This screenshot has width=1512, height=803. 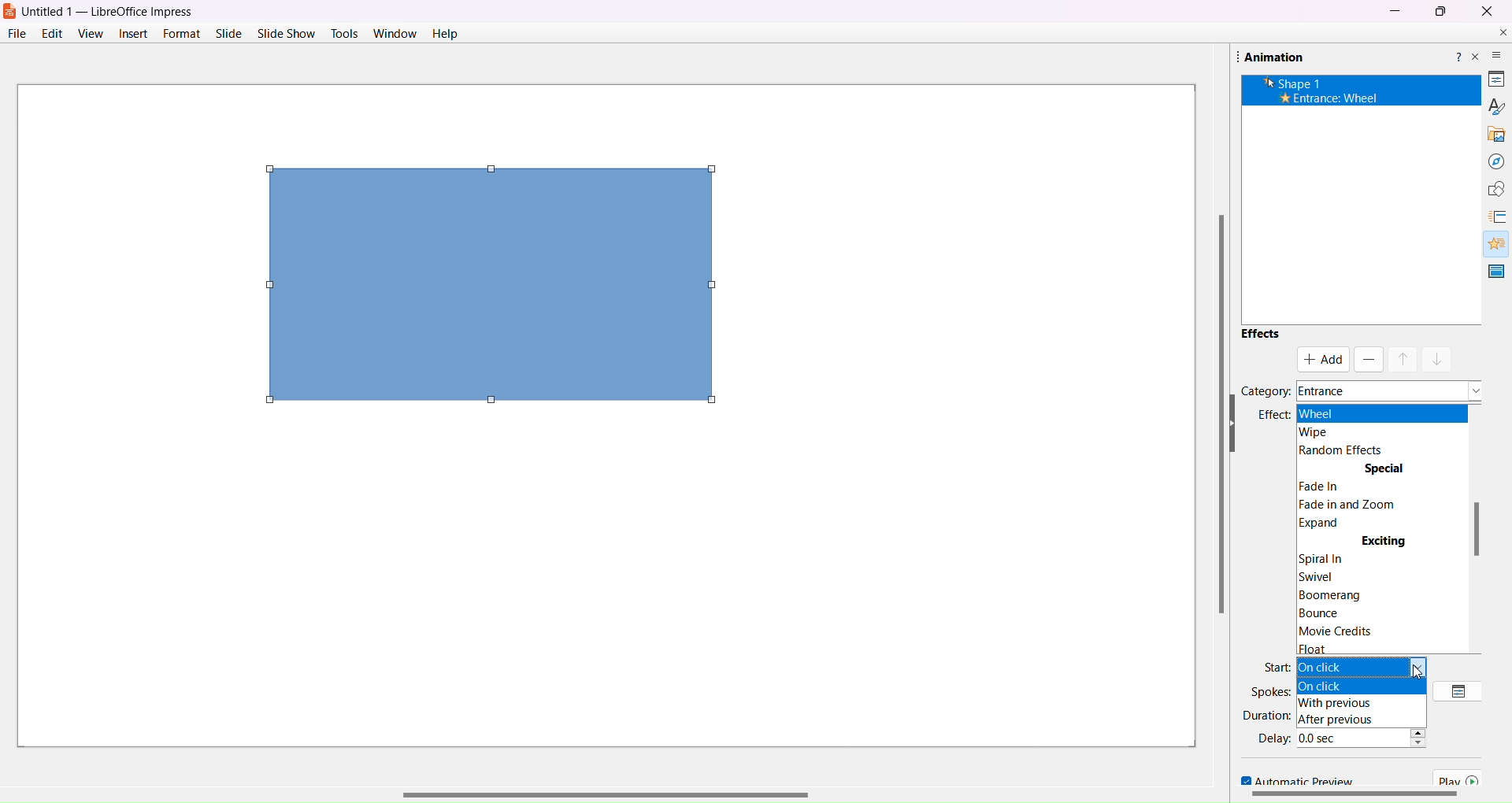 I want to click on Navigator, so click(x=1490, y=161).